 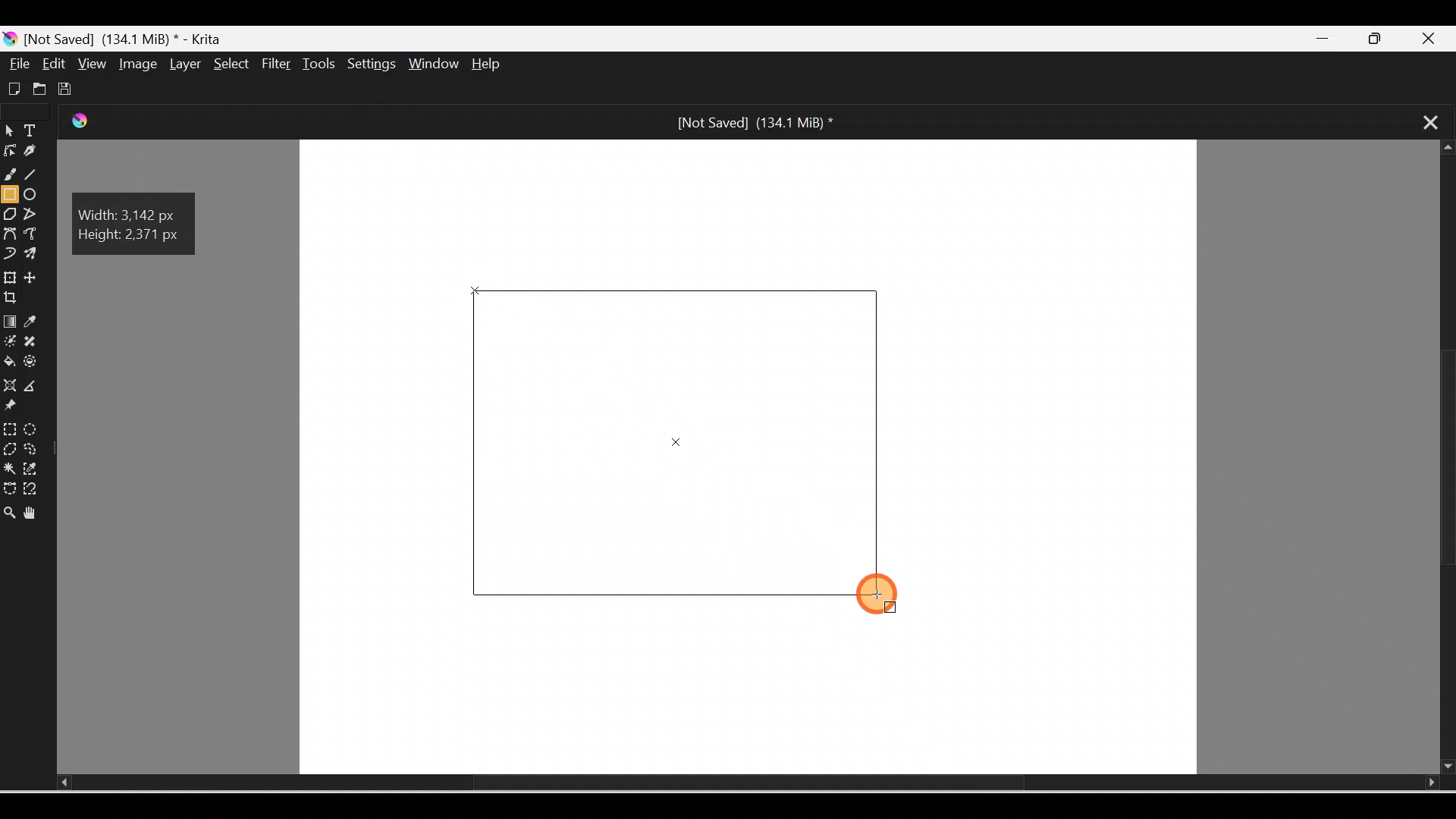 I want to click on Polygon, so click(x=9, y=214).